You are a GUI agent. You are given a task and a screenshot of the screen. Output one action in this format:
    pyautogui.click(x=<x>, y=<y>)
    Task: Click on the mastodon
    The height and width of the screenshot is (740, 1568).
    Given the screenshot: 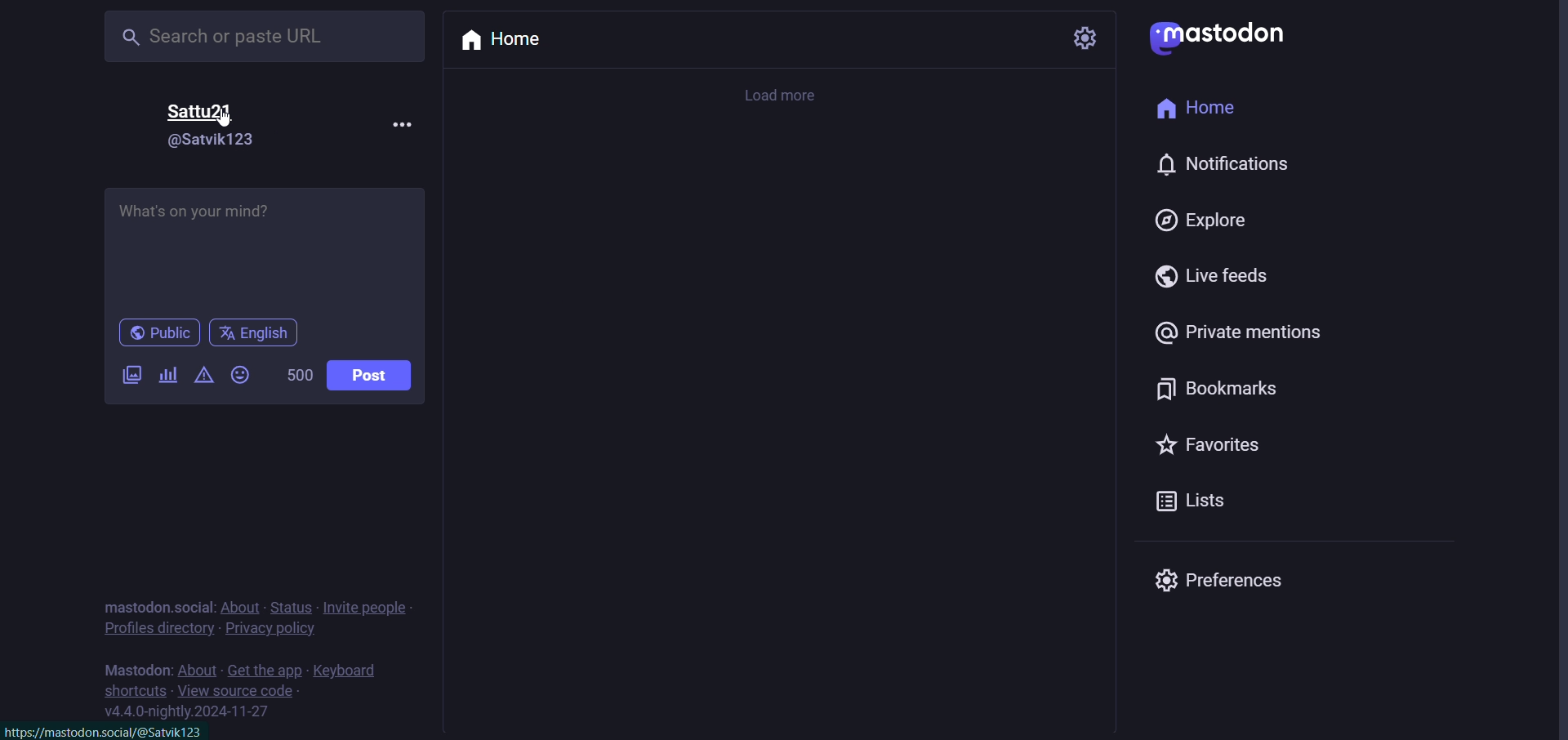 What is the action you would take?
    pyautogui.click(x=136, y=669)
    